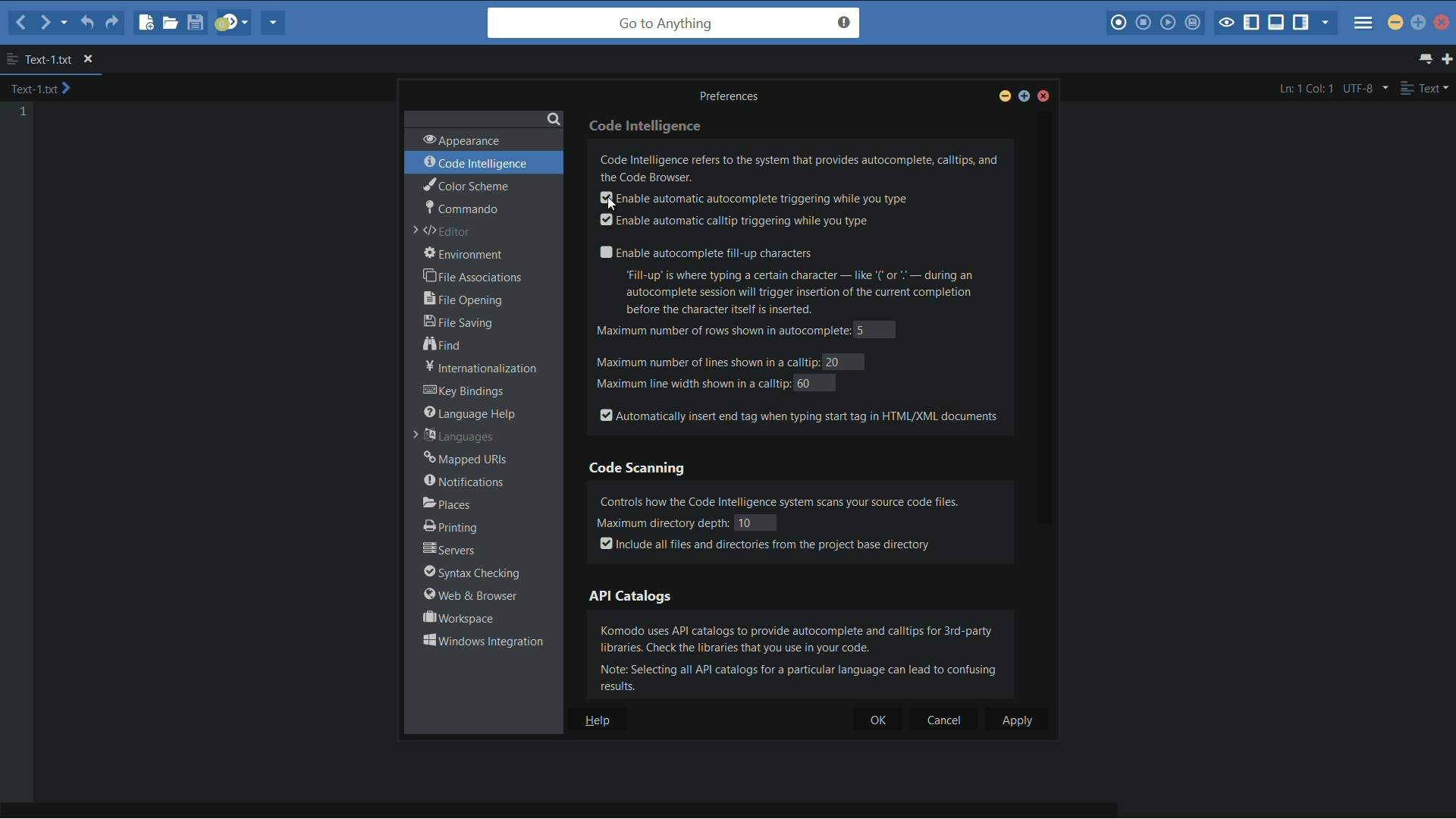 This screenshot has height=819, width=1456. I want to click on line number, so click(24, 112).